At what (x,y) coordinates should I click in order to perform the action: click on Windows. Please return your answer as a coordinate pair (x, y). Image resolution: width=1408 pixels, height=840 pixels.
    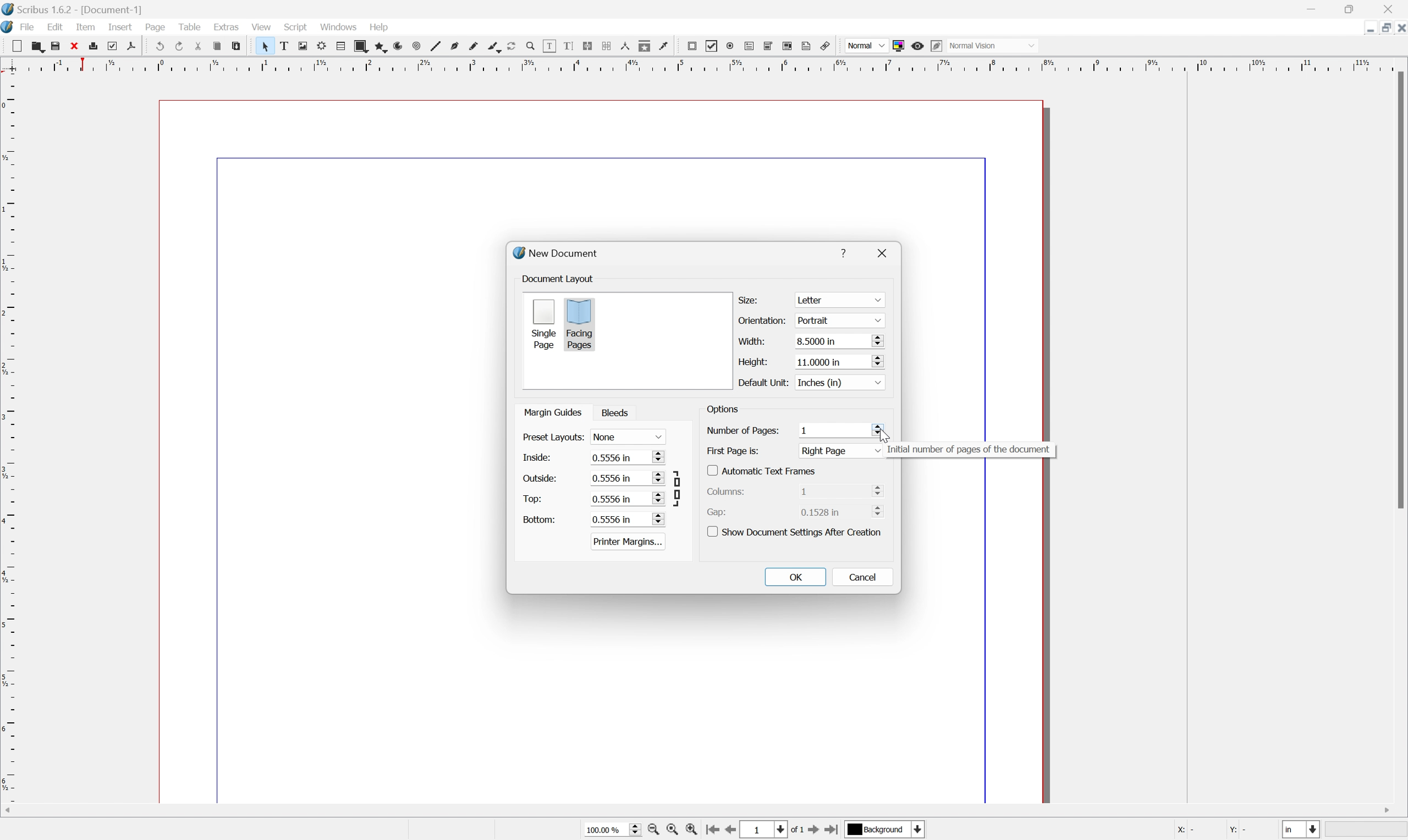
    Looking at the image, I should click on (339, 28).